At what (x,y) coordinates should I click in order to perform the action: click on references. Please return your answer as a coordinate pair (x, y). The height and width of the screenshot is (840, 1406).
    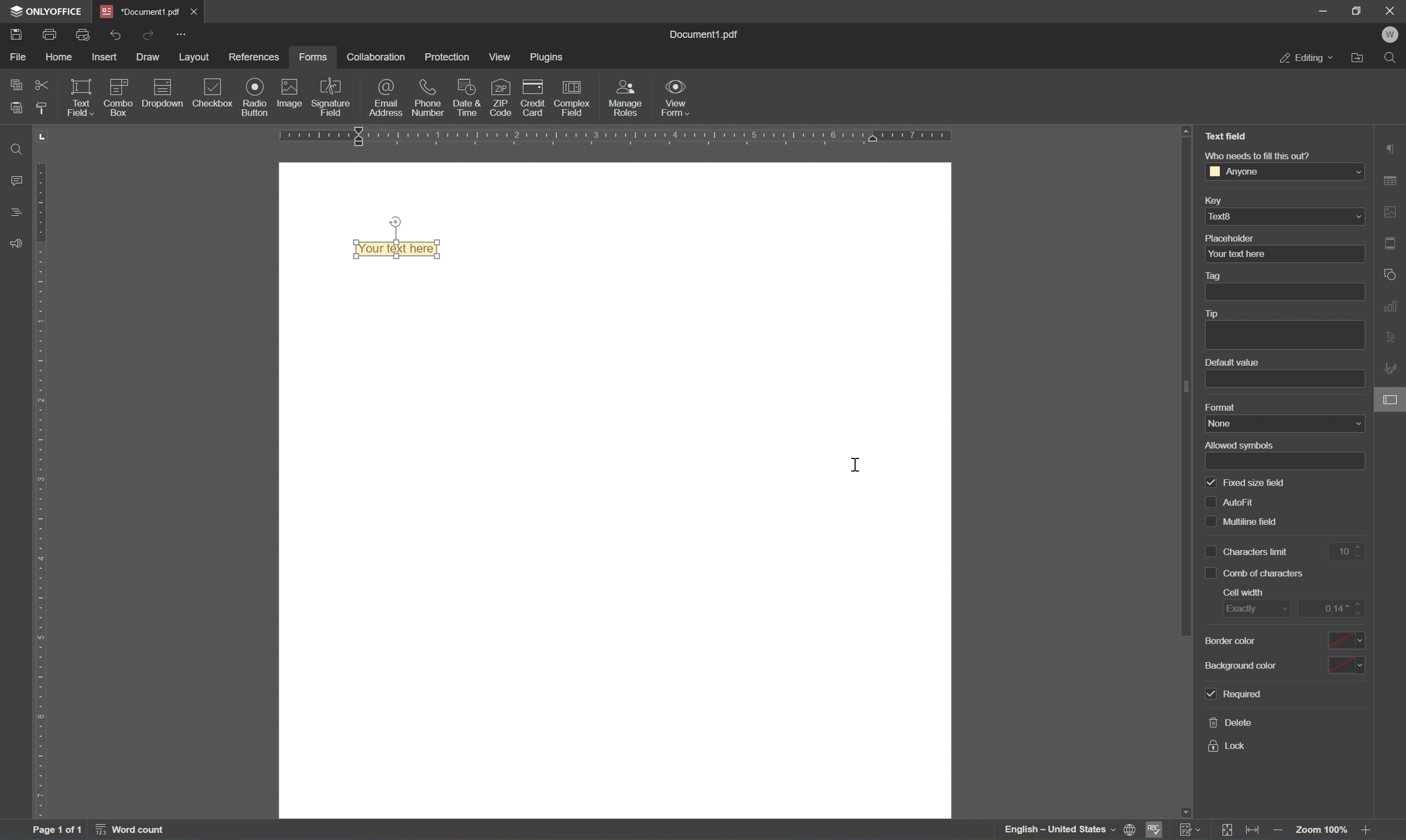
    Looking at the image, I should click on (254, 59).